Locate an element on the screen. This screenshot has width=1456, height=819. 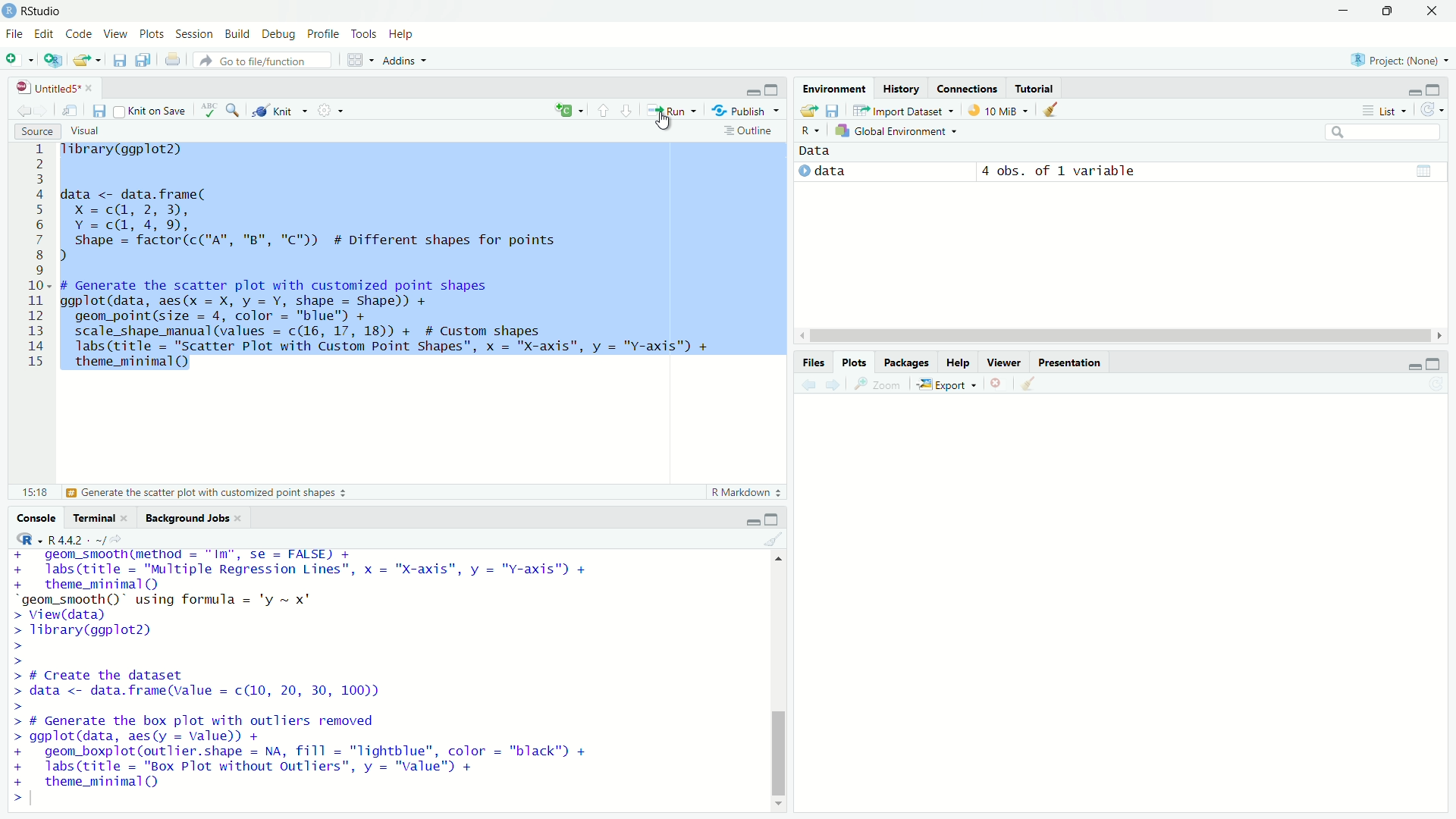
Clear all plots is located at coordinates (1028, 383).